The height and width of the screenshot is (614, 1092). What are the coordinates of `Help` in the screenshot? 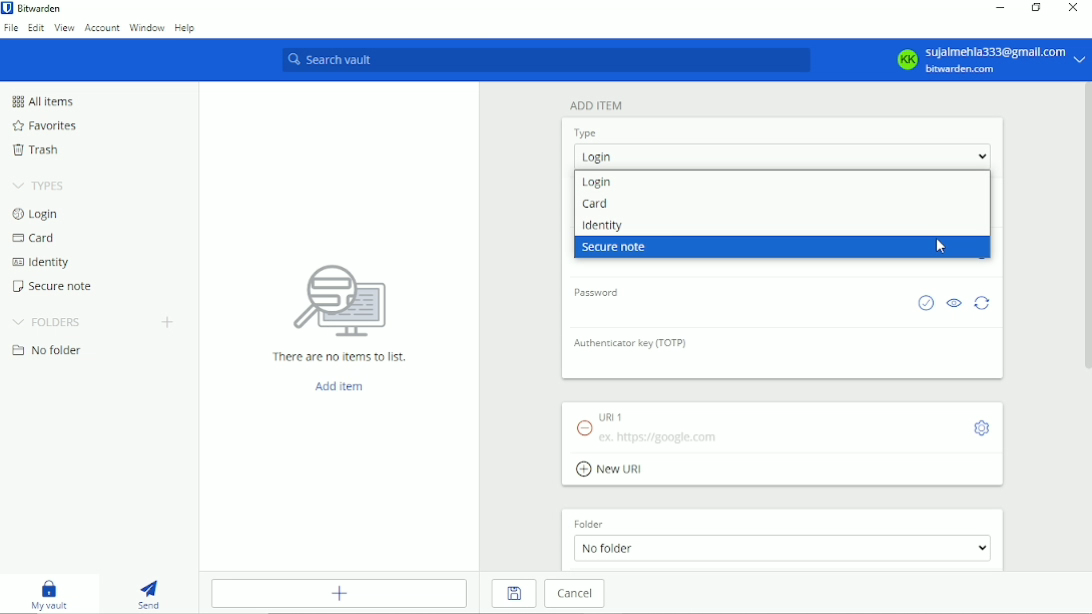 It's located at (185, 26).